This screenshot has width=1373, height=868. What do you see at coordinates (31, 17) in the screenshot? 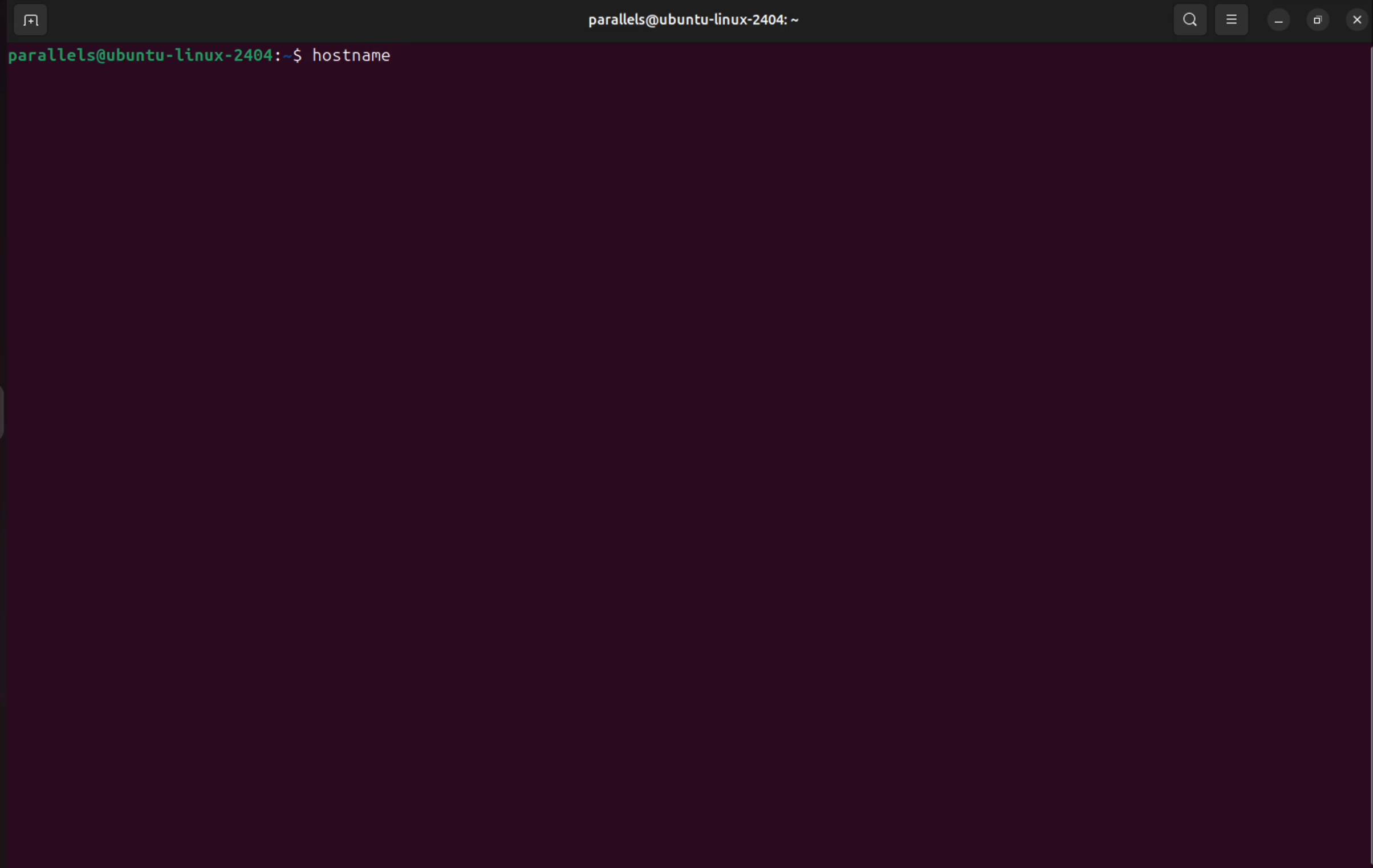
I see `add terminals` at bounding box center [31, 17].